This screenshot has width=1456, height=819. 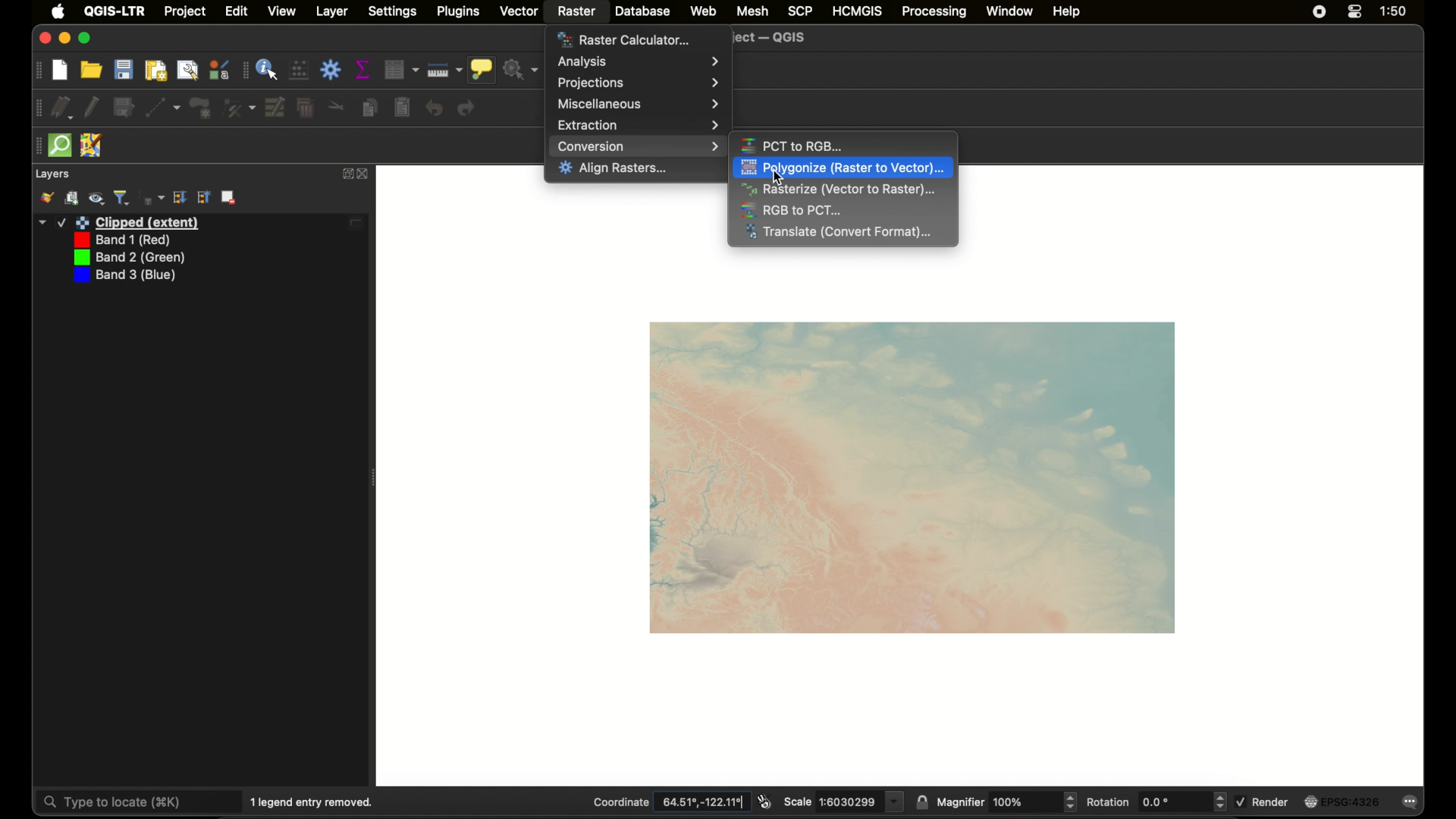 I want to click on edit, so click(x=237, y=11).